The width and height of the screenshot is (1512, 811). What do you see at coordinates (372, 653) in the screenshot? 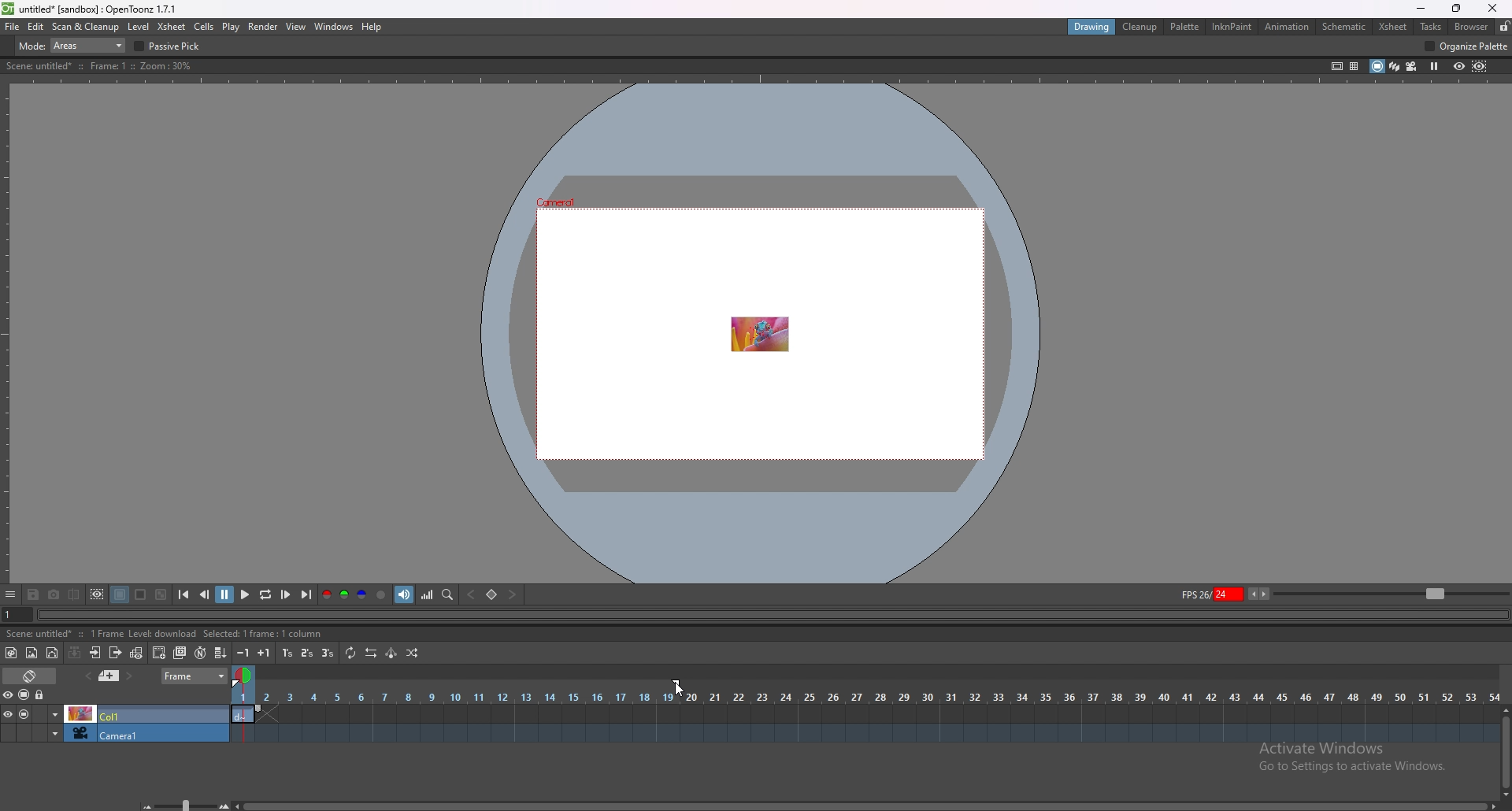
I see `reverse` at bounding box center [372, 653].